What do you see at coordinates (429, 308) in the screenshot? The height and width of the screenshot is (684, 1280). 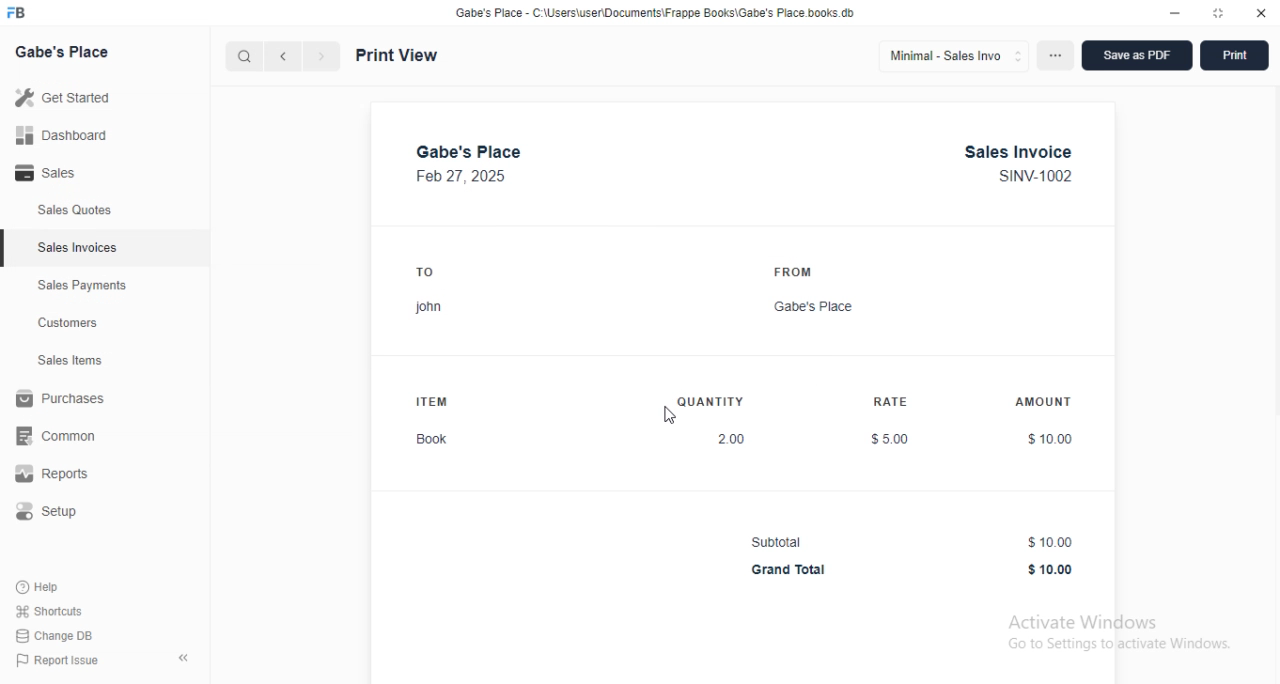 I see `john` at bounding box center [429, 308].